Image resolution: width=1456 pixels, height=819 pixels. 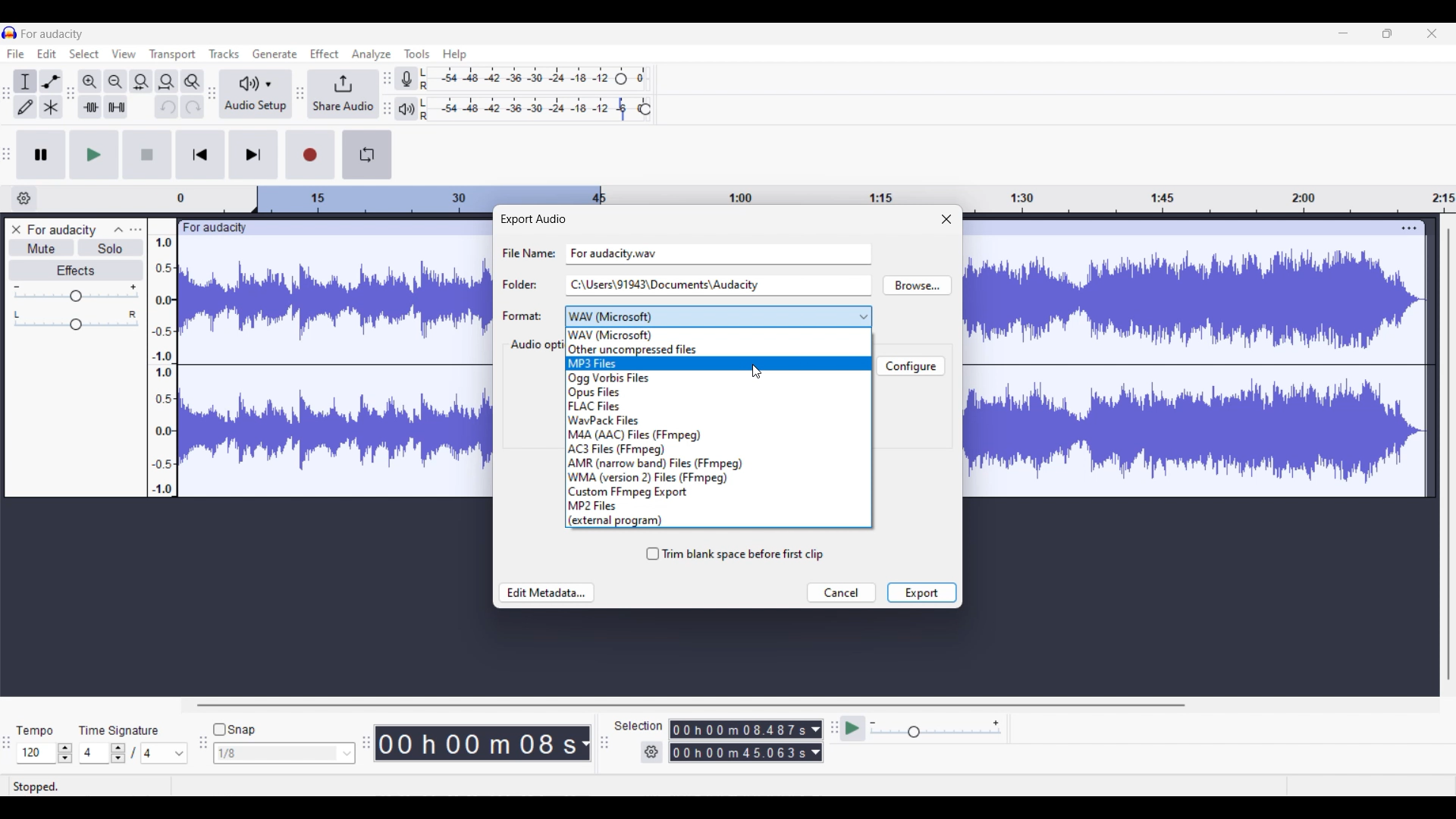 What do you see at coordinates (718, 406) in the screenshot?
I see `FLAC Files` at bounding box center [718, 406].